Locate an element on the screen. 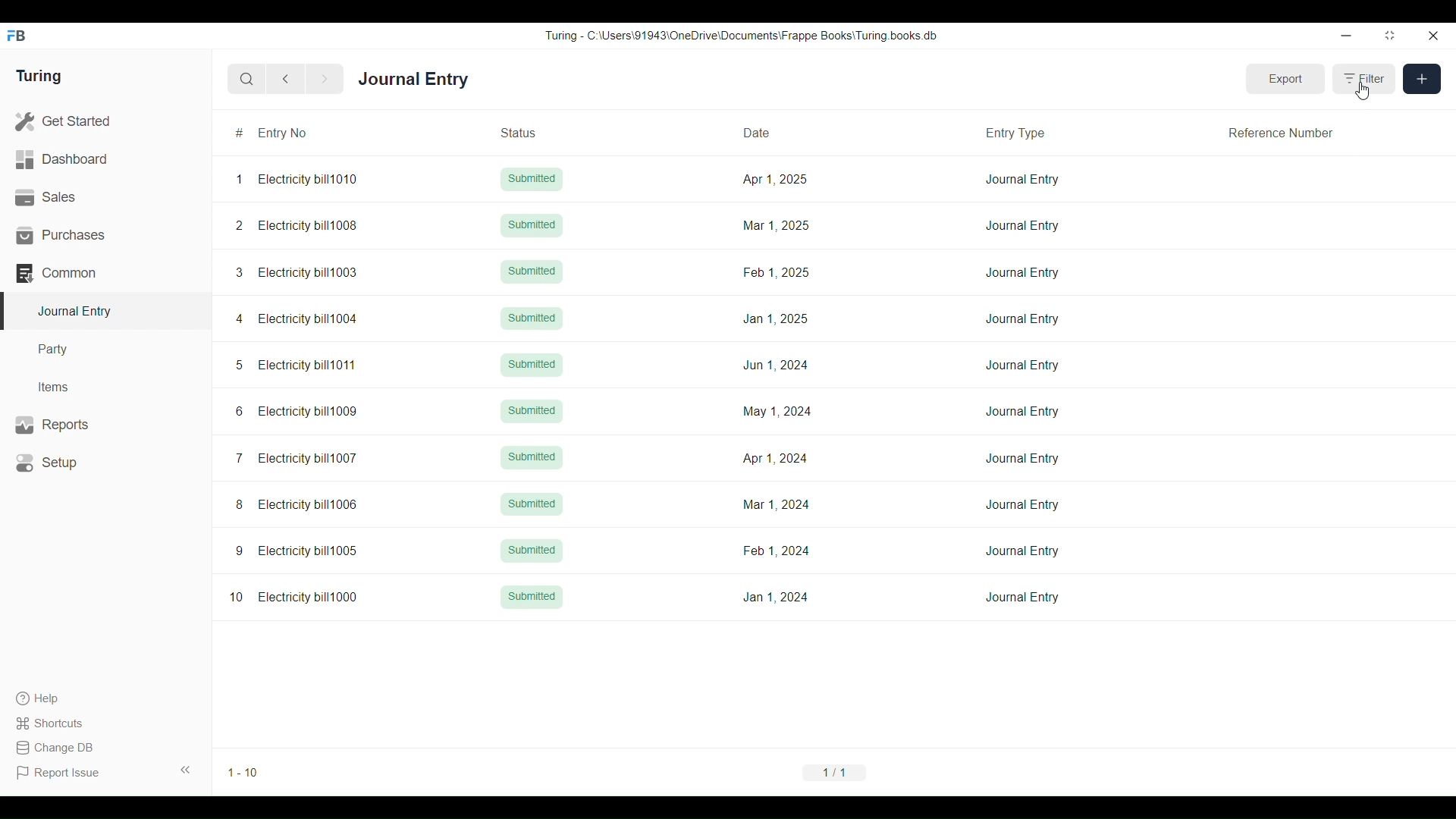 This screenshot has height=819, width=1456. Filter is located at coordinates (1364, 79).